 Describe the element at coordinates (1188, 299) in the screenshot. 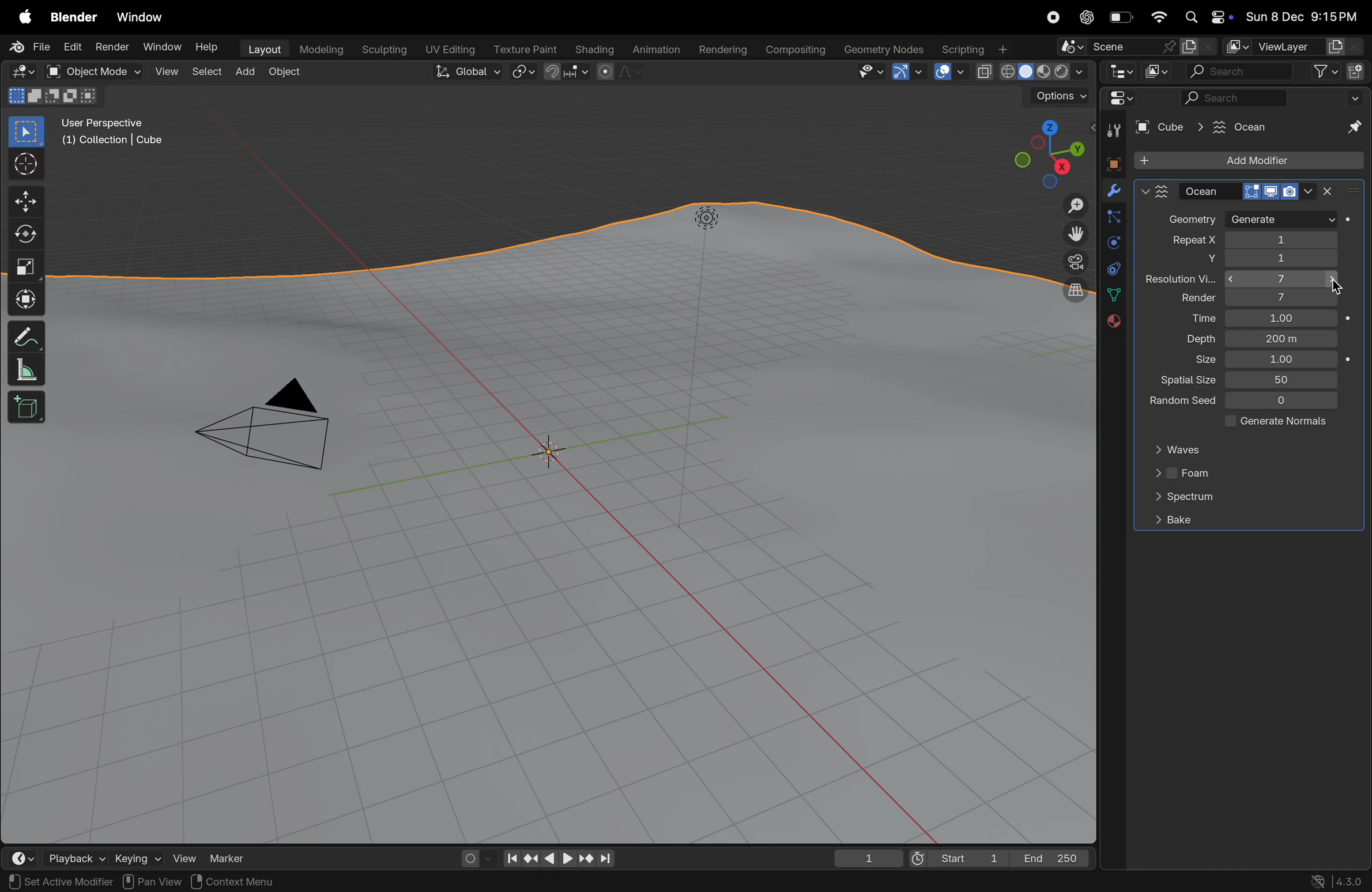

I see `render` at that location.